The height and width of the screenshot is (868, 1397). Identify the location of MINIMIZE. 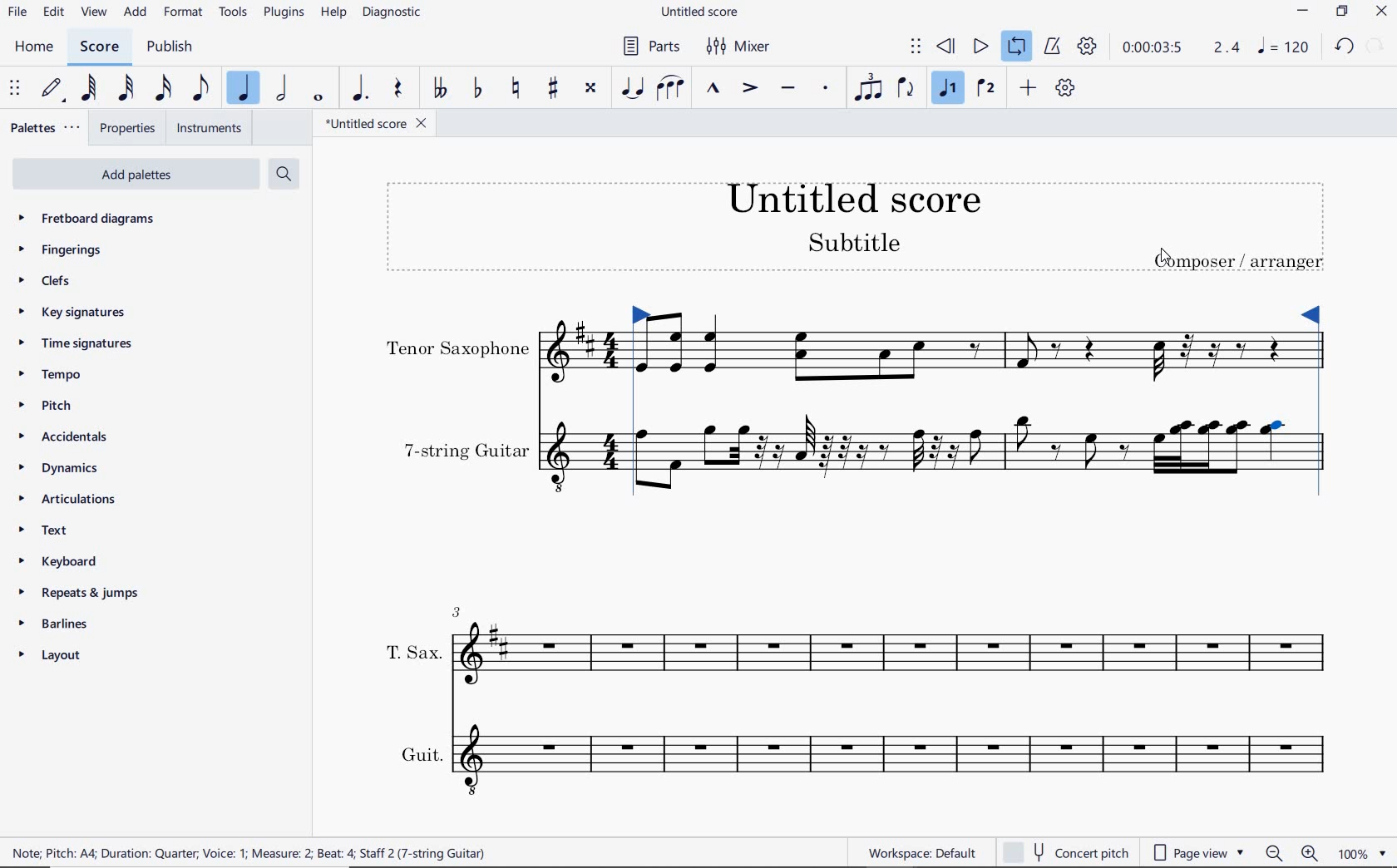
(1306, 11).